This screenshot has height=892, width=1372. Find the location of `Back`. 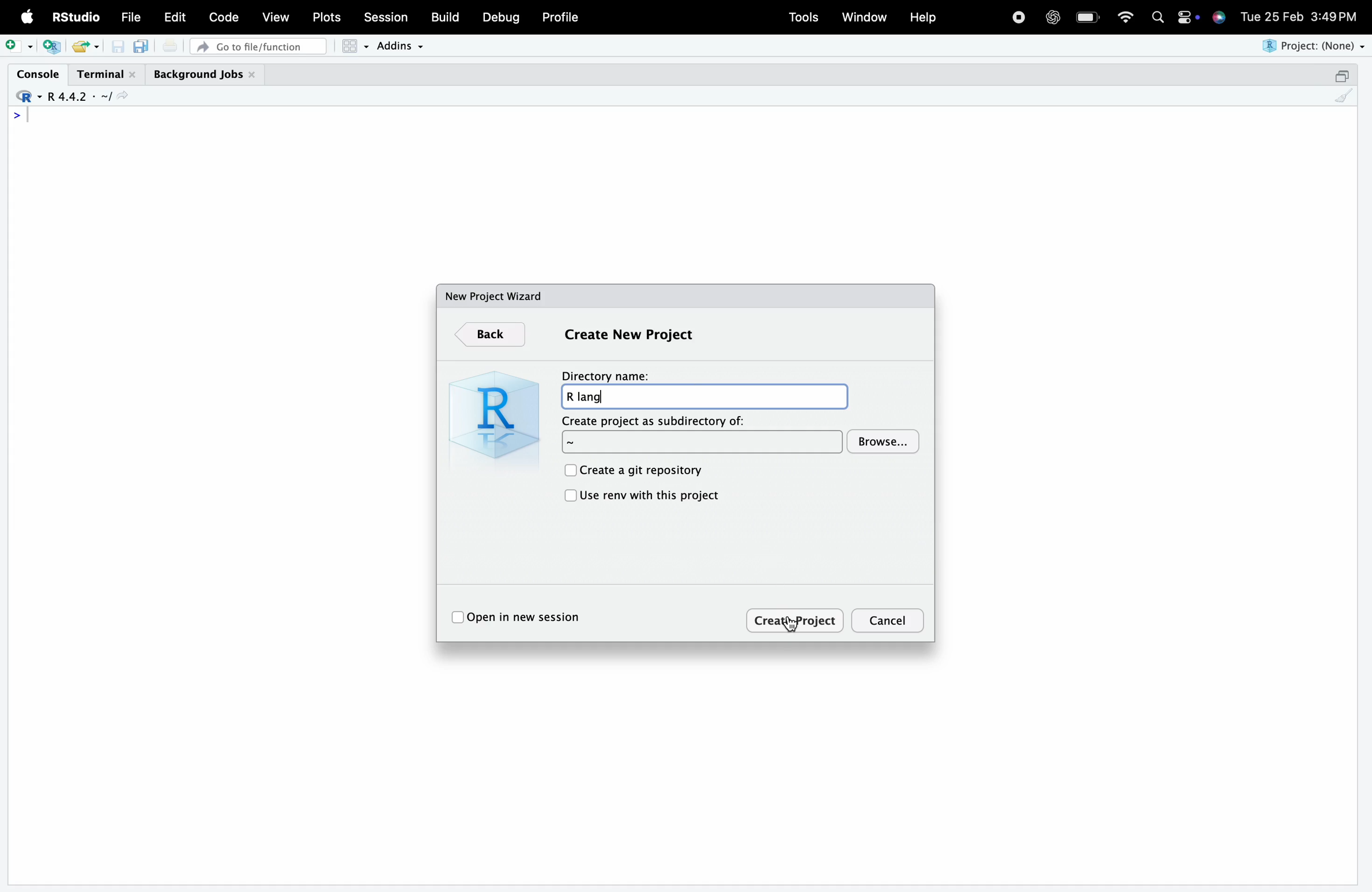

Back is located at coordinates (490, 335).